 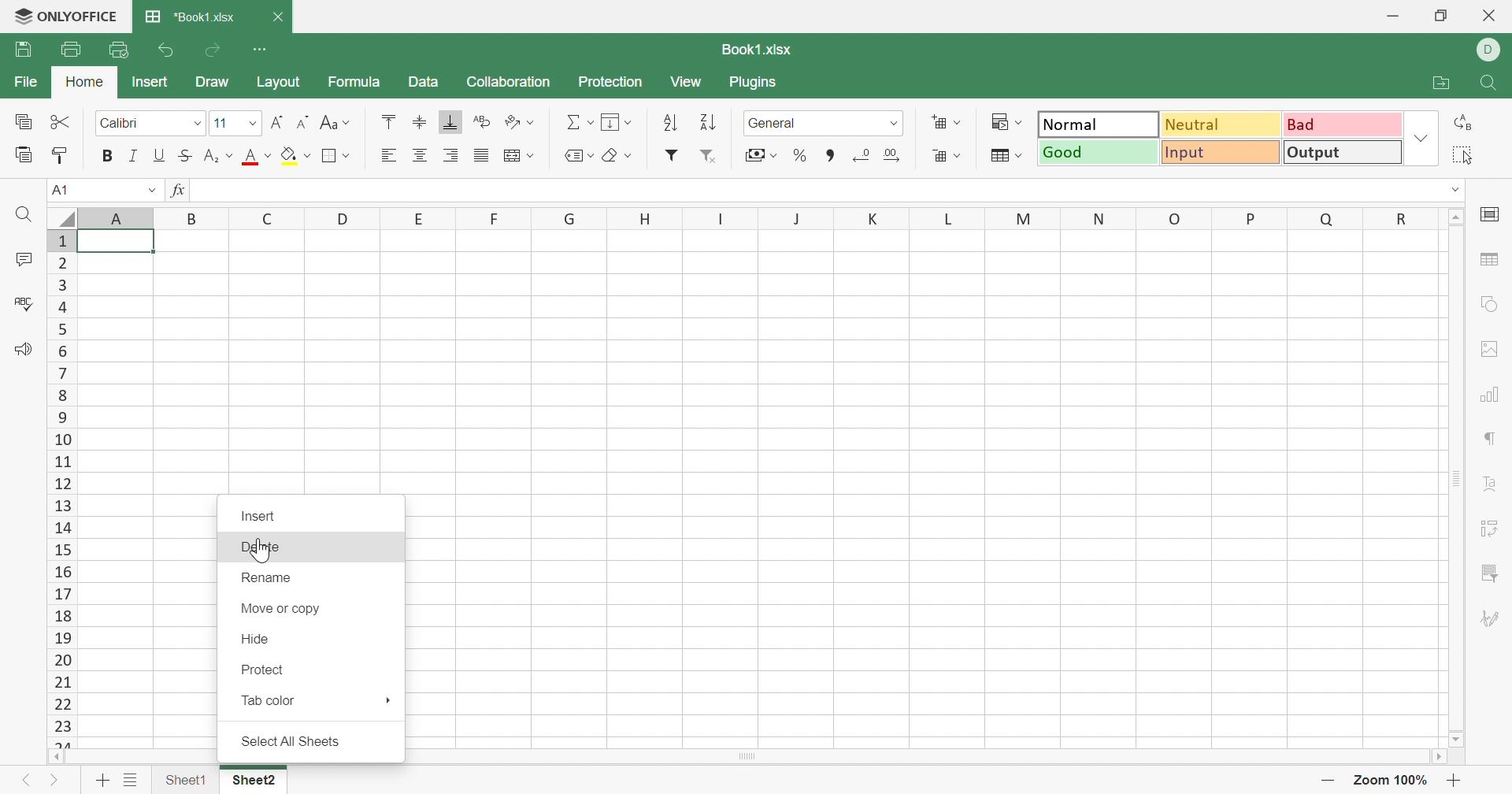 I want to click on Ascending order, so click(x=667, y=123).